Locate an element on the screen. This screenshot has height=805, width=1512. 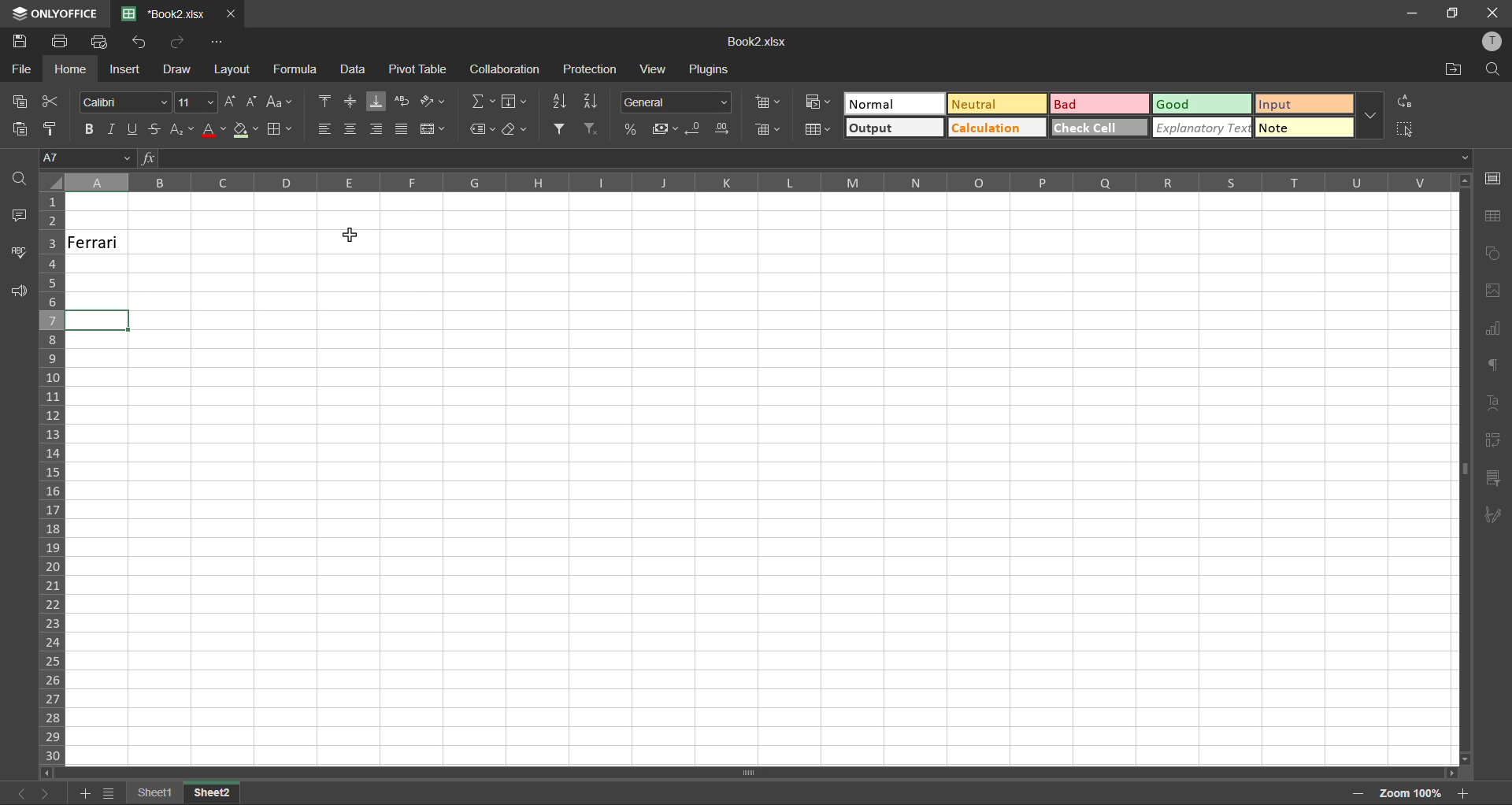
zoom out is located at coordinates (1351, 793).